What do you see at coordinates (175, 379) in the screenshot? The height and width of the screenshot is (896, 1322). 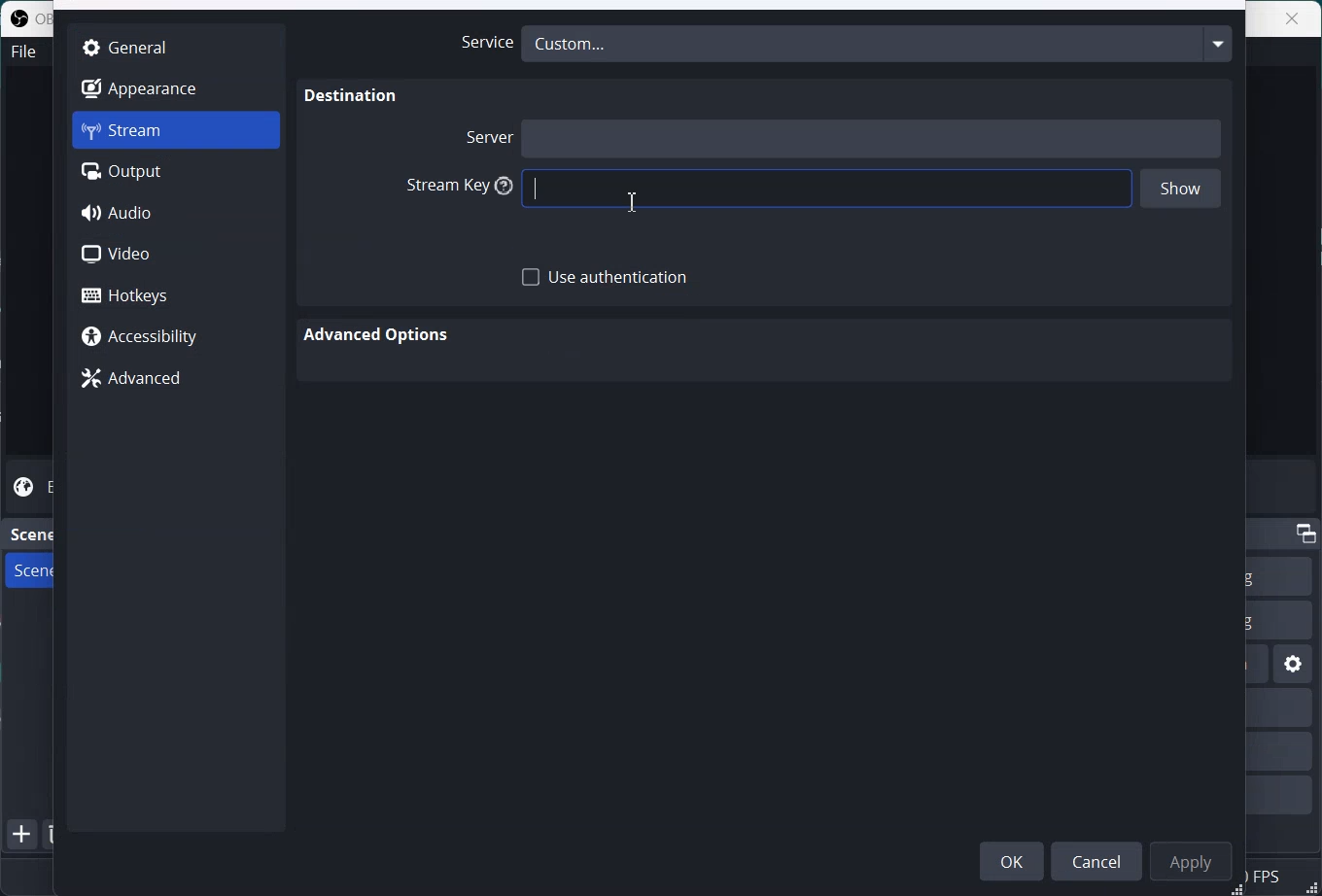 I see `Advanced` at bounding box center [175, 379].